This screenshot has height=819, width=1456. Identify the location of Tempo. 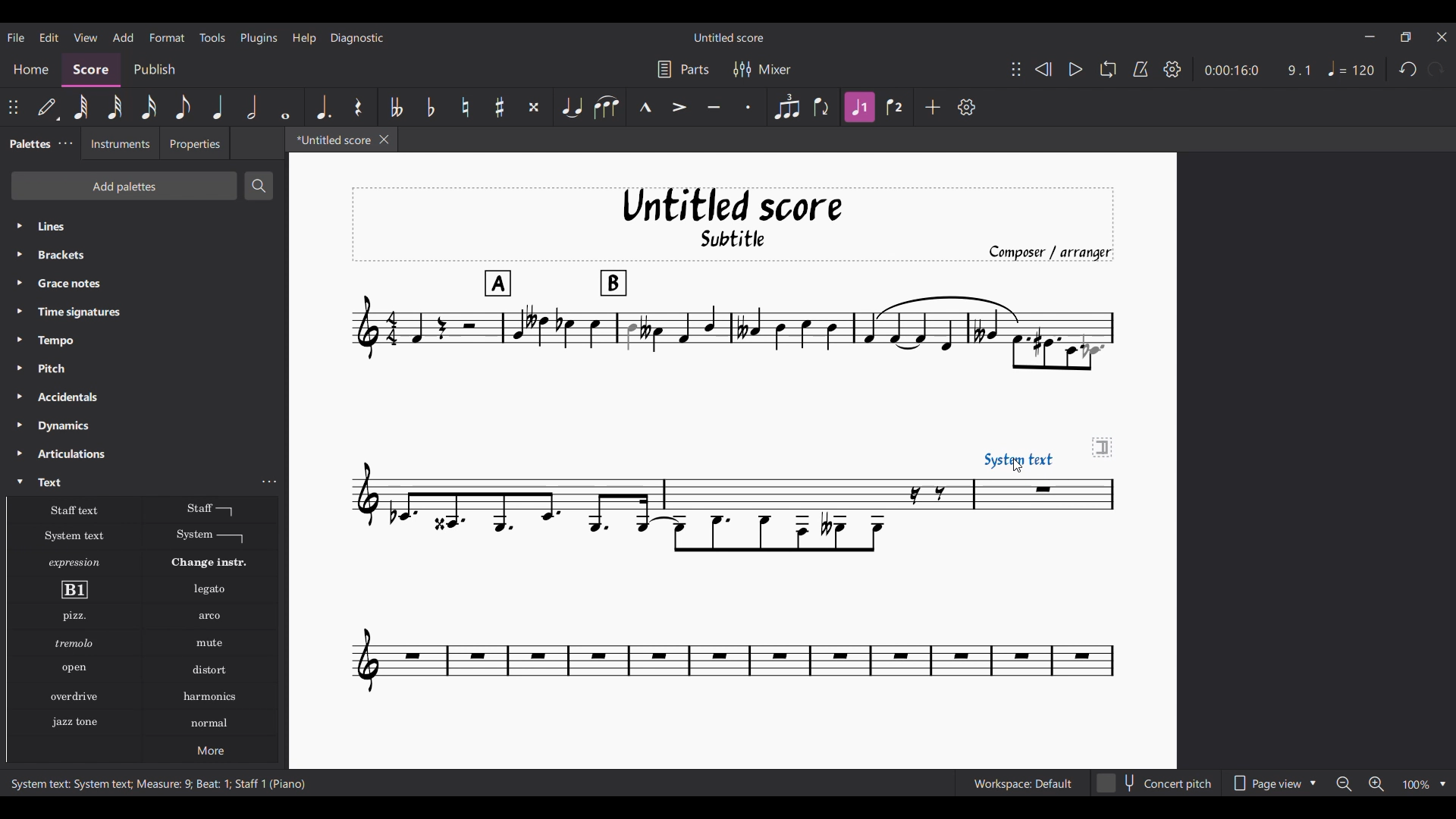
(1351, 69).